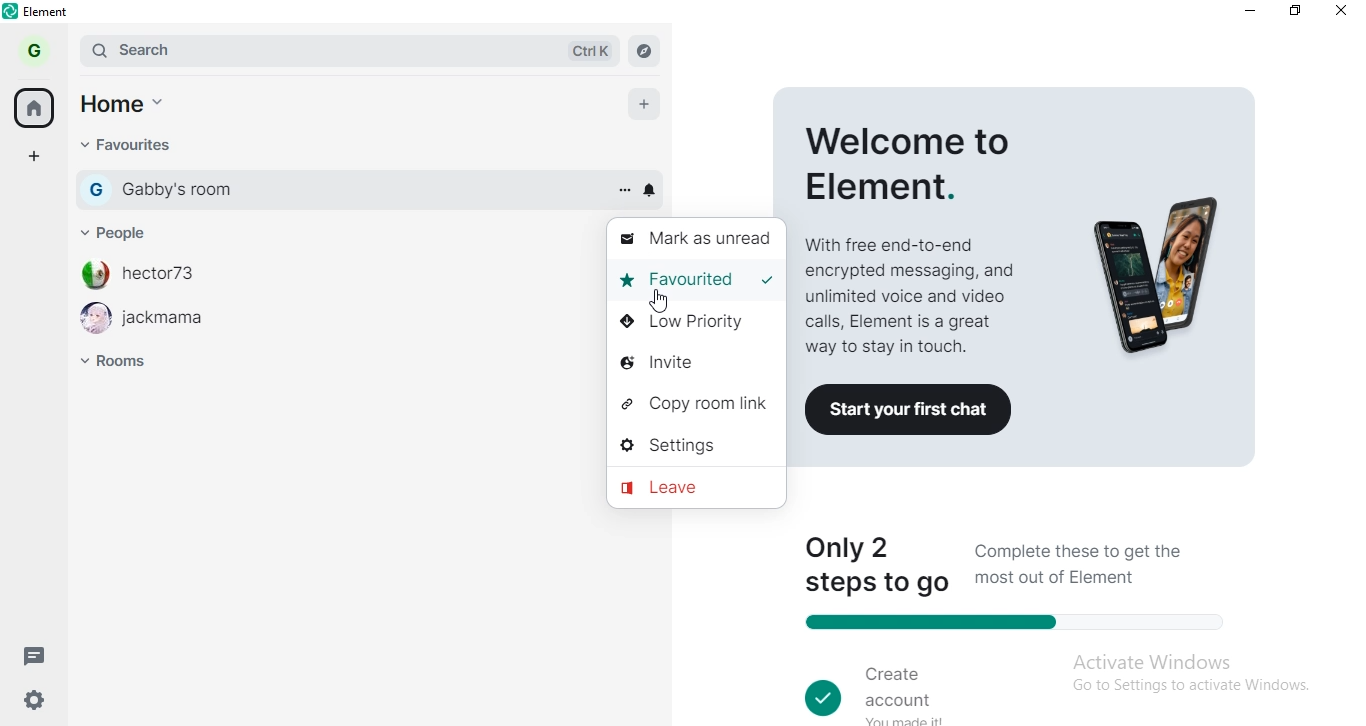  What do you see at coordinates (262, 49) in the screenshot?
I see `search` at bounding box center [262, 49].